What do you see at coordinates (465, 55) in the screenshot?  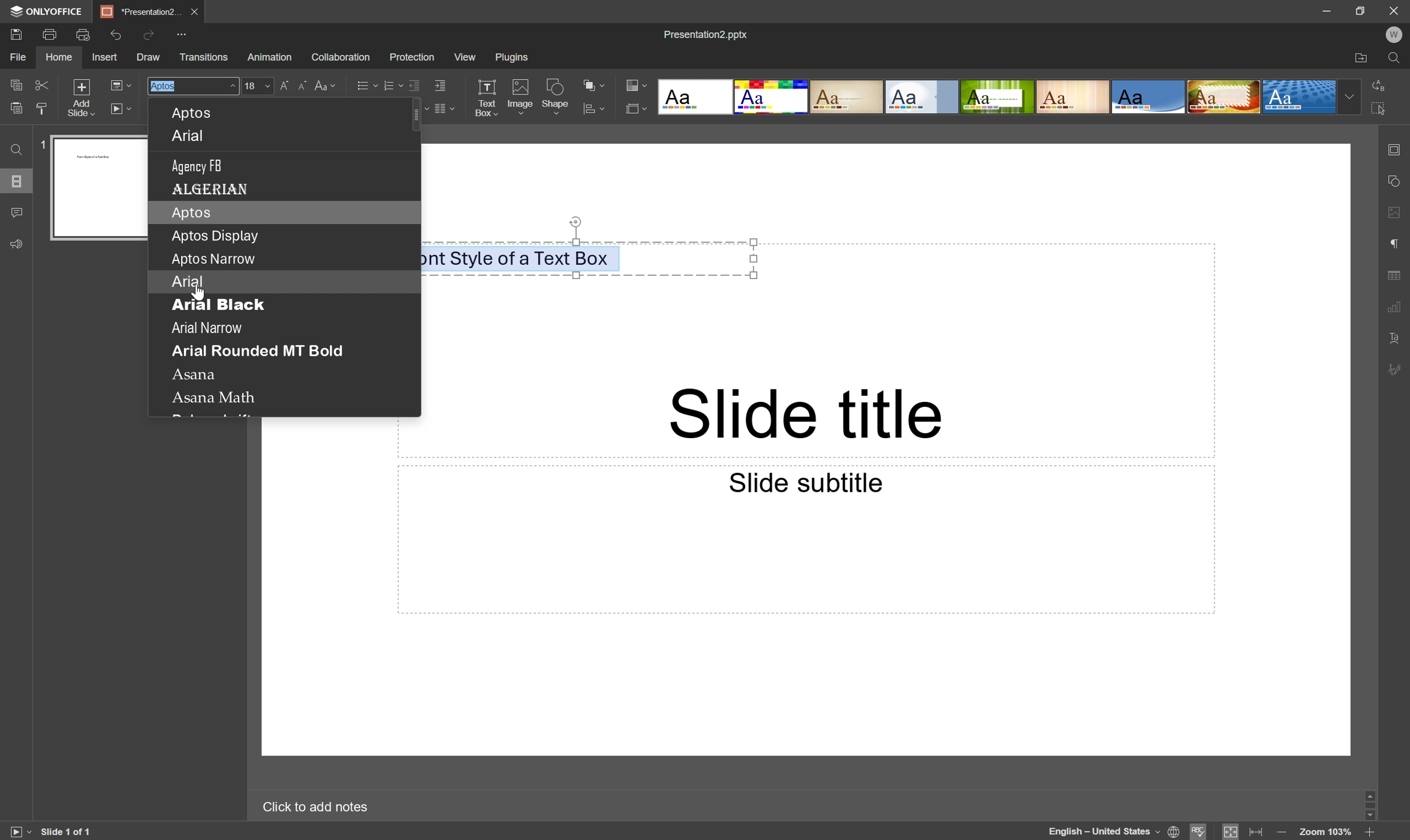 I see `View` at bounding box center [465, 55].